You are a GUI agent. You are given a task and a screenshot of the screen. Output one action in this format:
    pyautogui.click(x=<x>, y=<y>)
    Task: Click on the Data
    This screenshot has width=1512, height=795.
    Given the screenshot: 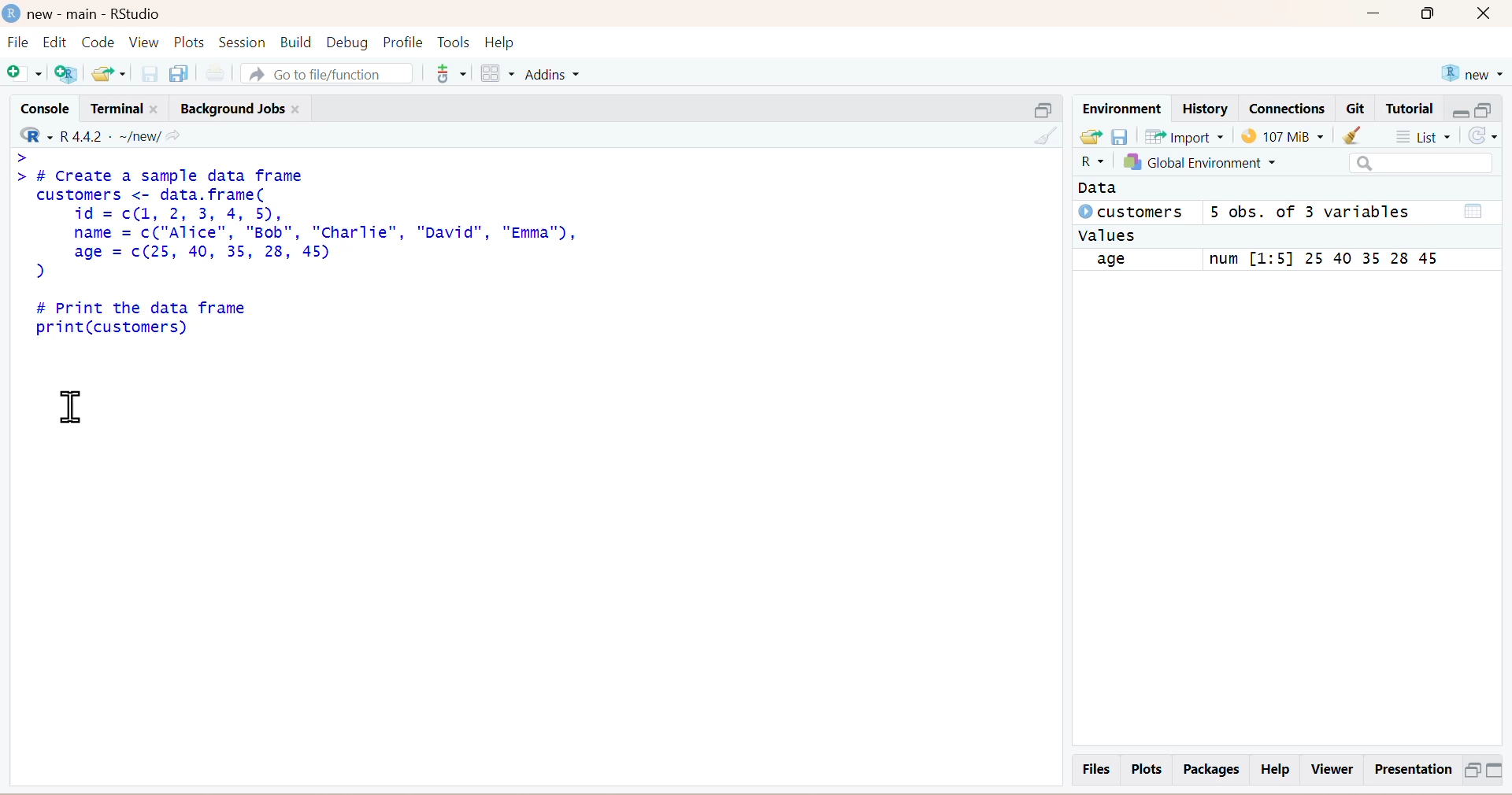 What is the action you would take?
    pyautogui.click(x=1099, y=189)
    